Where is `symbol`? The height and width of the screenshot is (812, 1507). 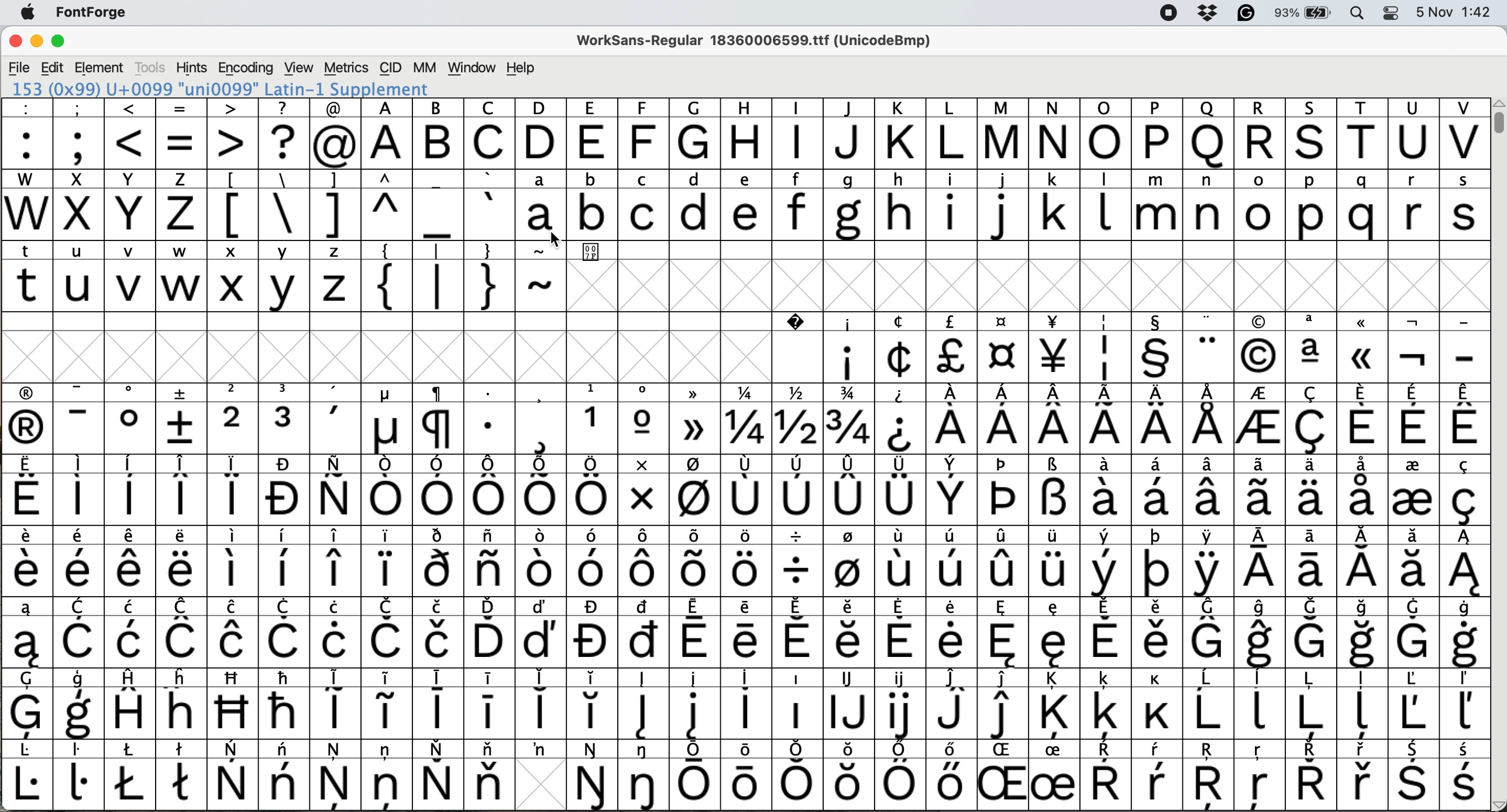
symbol is located at coordinates (1210, 419).